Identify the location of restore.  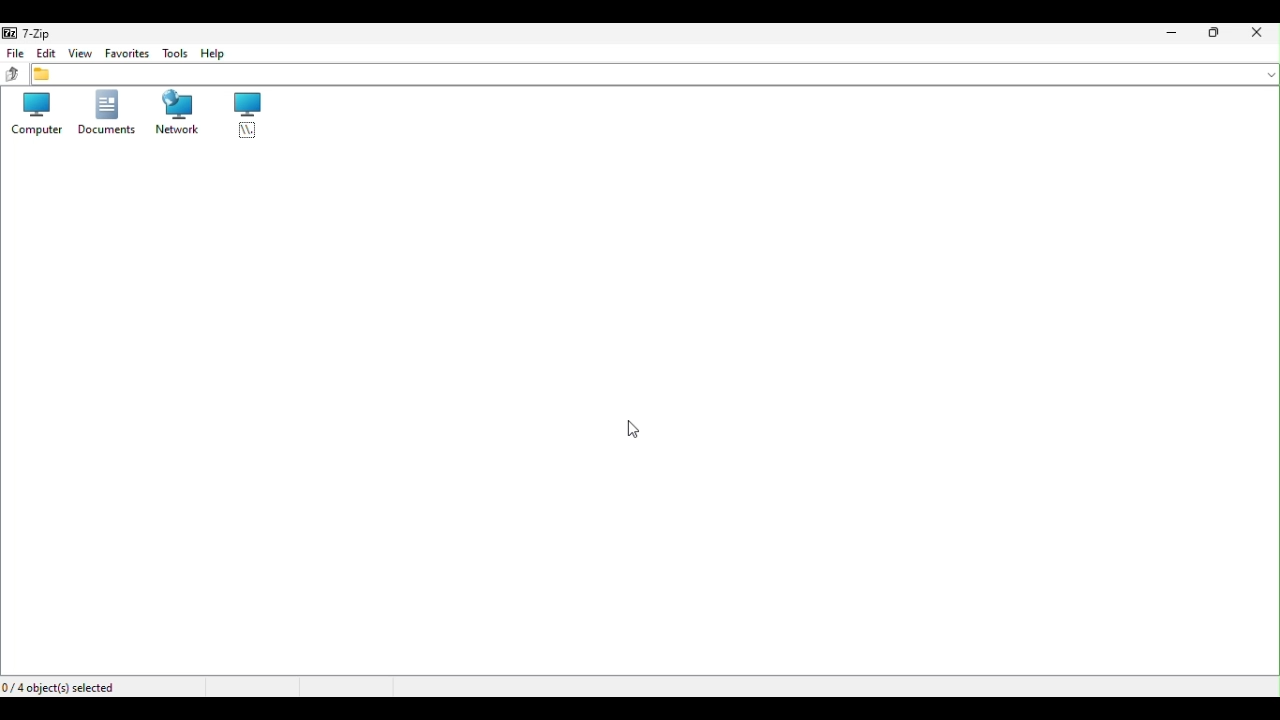
(1215, 35).